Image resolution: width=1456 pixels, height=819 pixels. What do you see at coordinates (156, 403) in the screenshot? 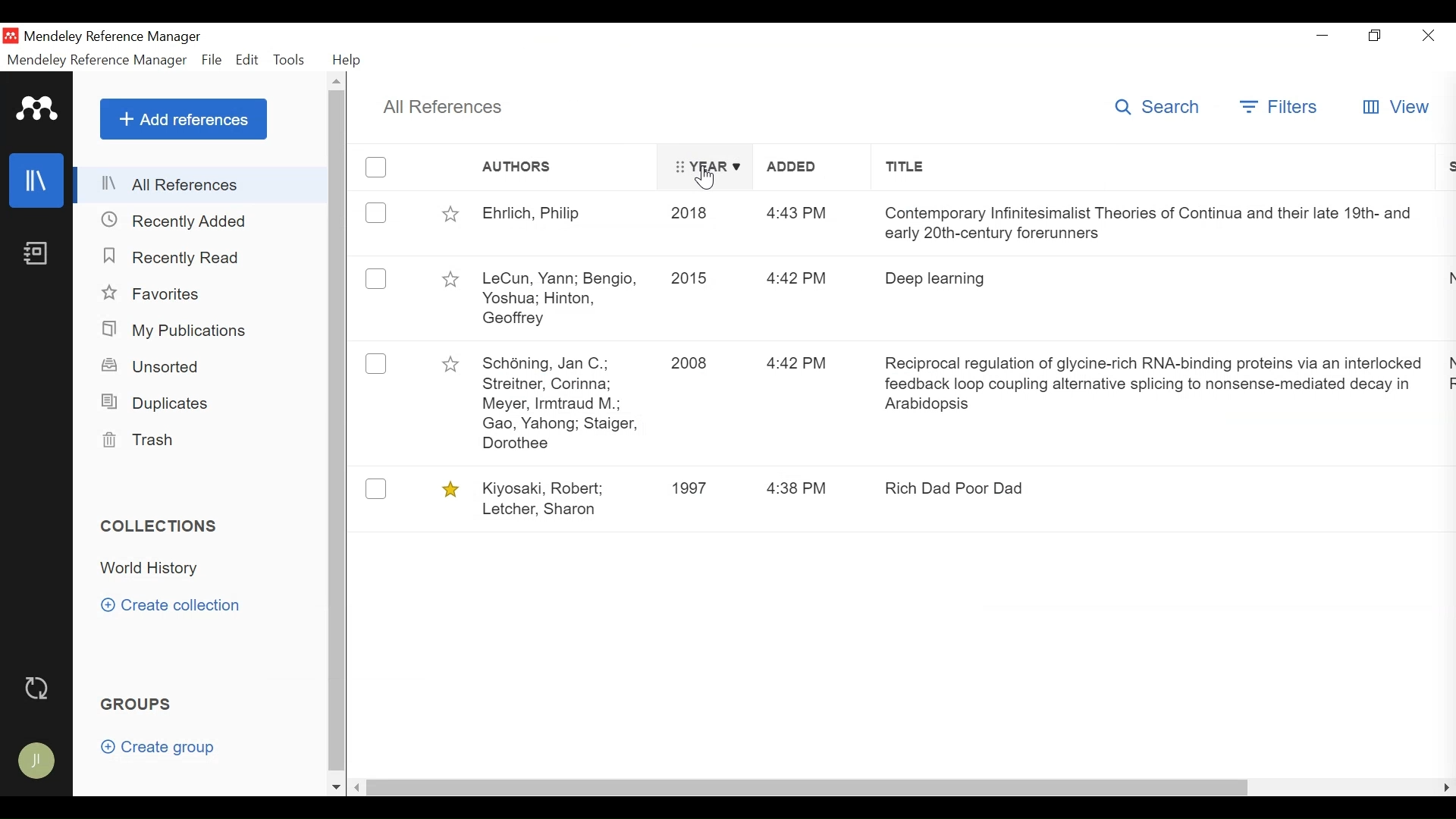
I see `Duplicates` at bounding box center [156, 403].